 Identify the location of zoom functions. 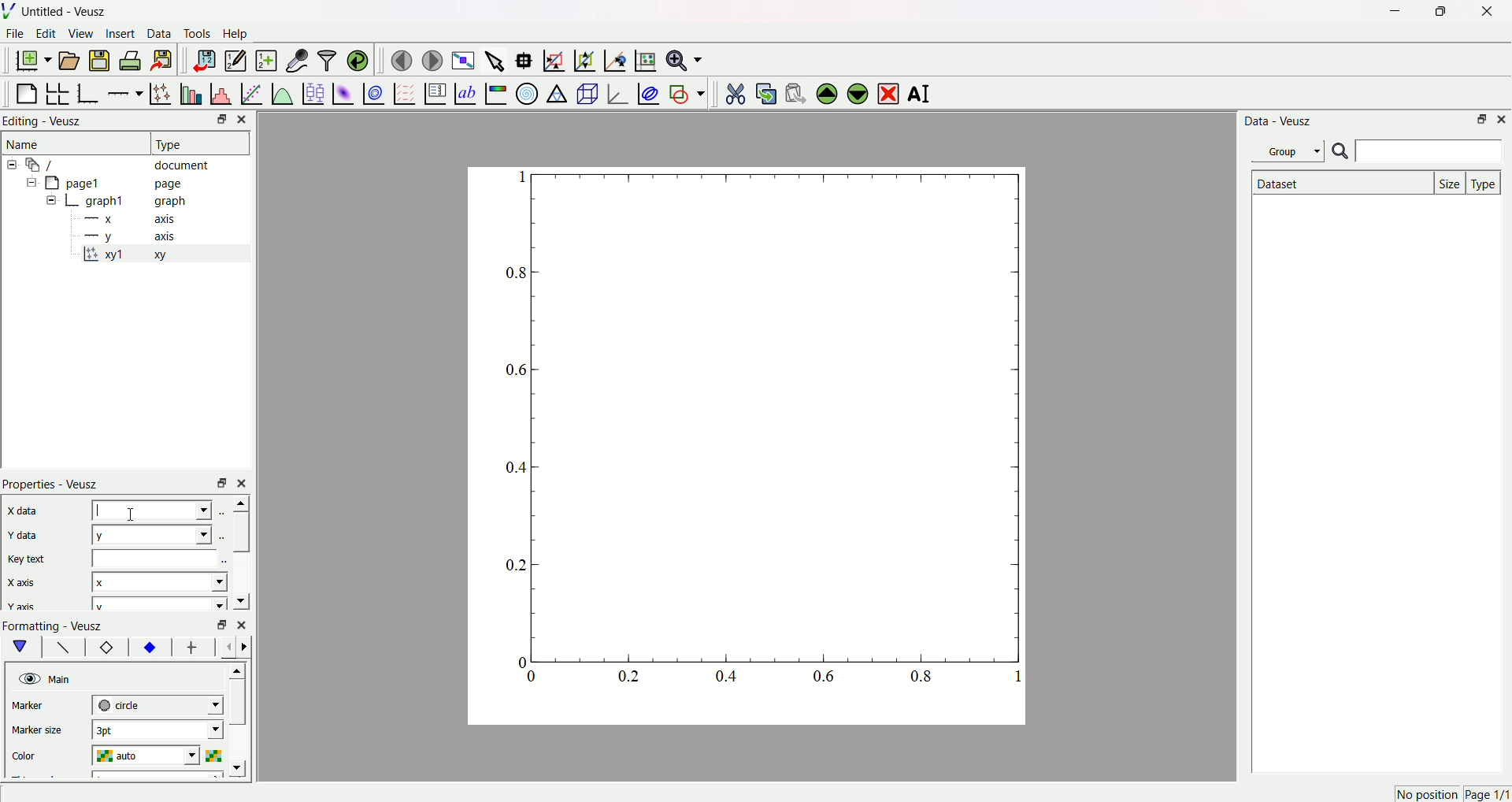
(684, 60).